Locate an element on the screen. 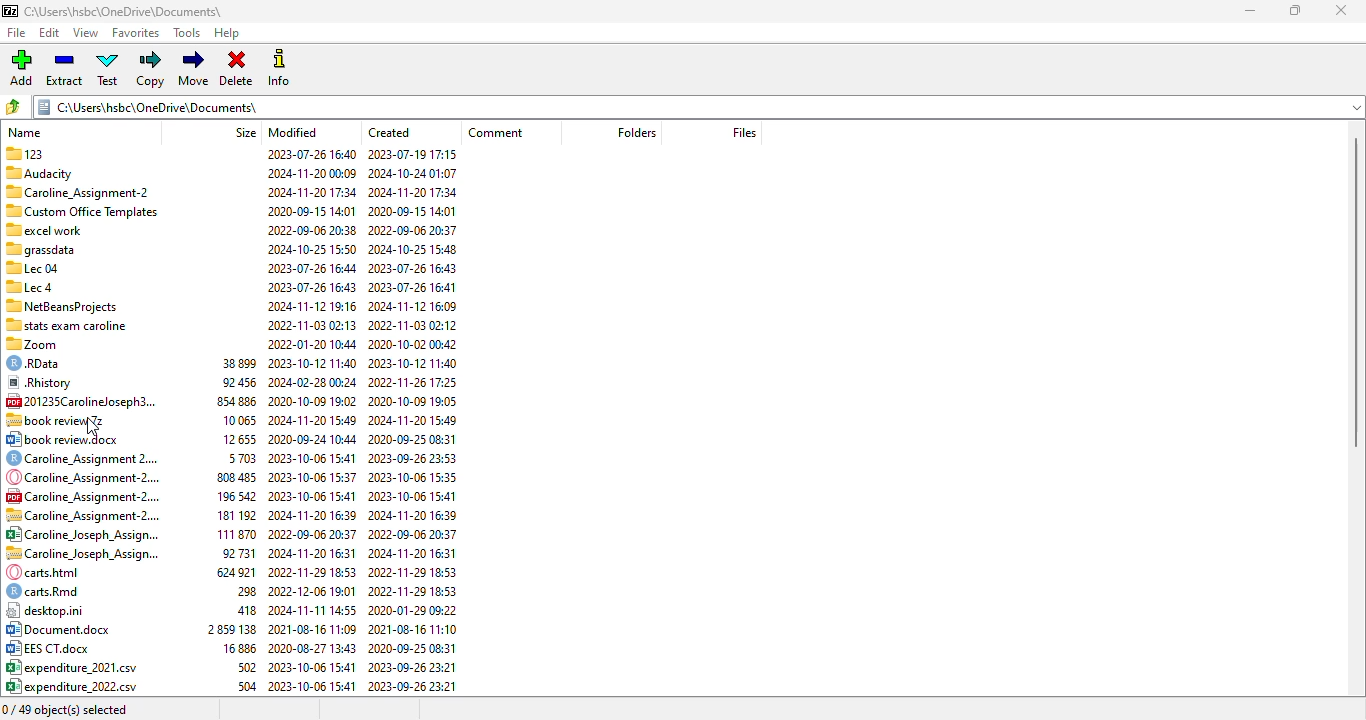 The image size is (1366, 720). 0/49 object(s) selected is located at coordinates (66, 709).